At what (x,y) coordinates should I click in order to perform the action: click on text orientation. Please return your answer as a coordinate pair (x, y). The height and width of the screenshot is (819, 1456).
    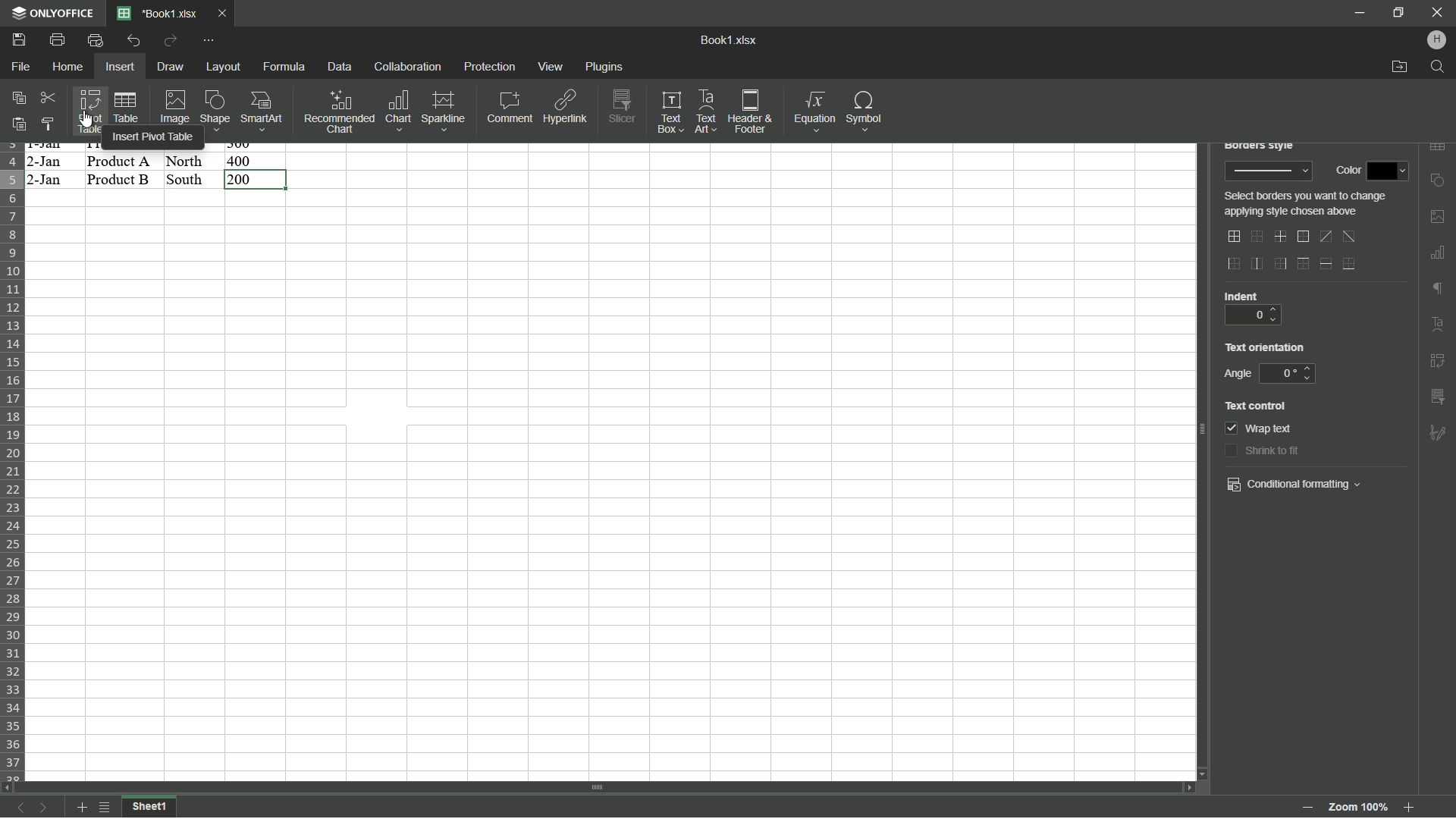
    Looking at the image, I should click on (1265, 347).